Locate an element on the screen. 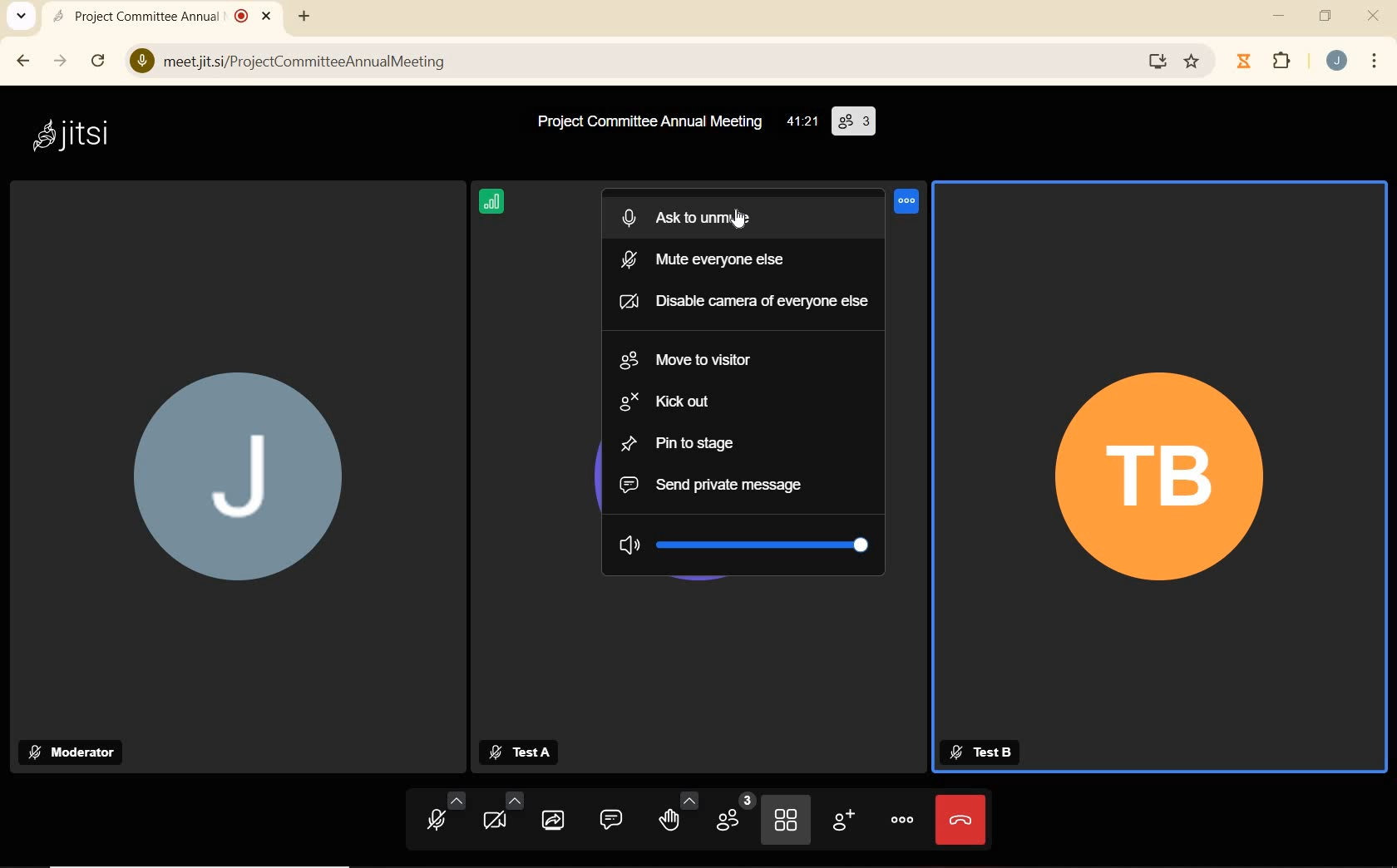 This screenshot has width=1397, height=868. SEND PRIVATE MESSAGE is located at coordinates (717, 486).